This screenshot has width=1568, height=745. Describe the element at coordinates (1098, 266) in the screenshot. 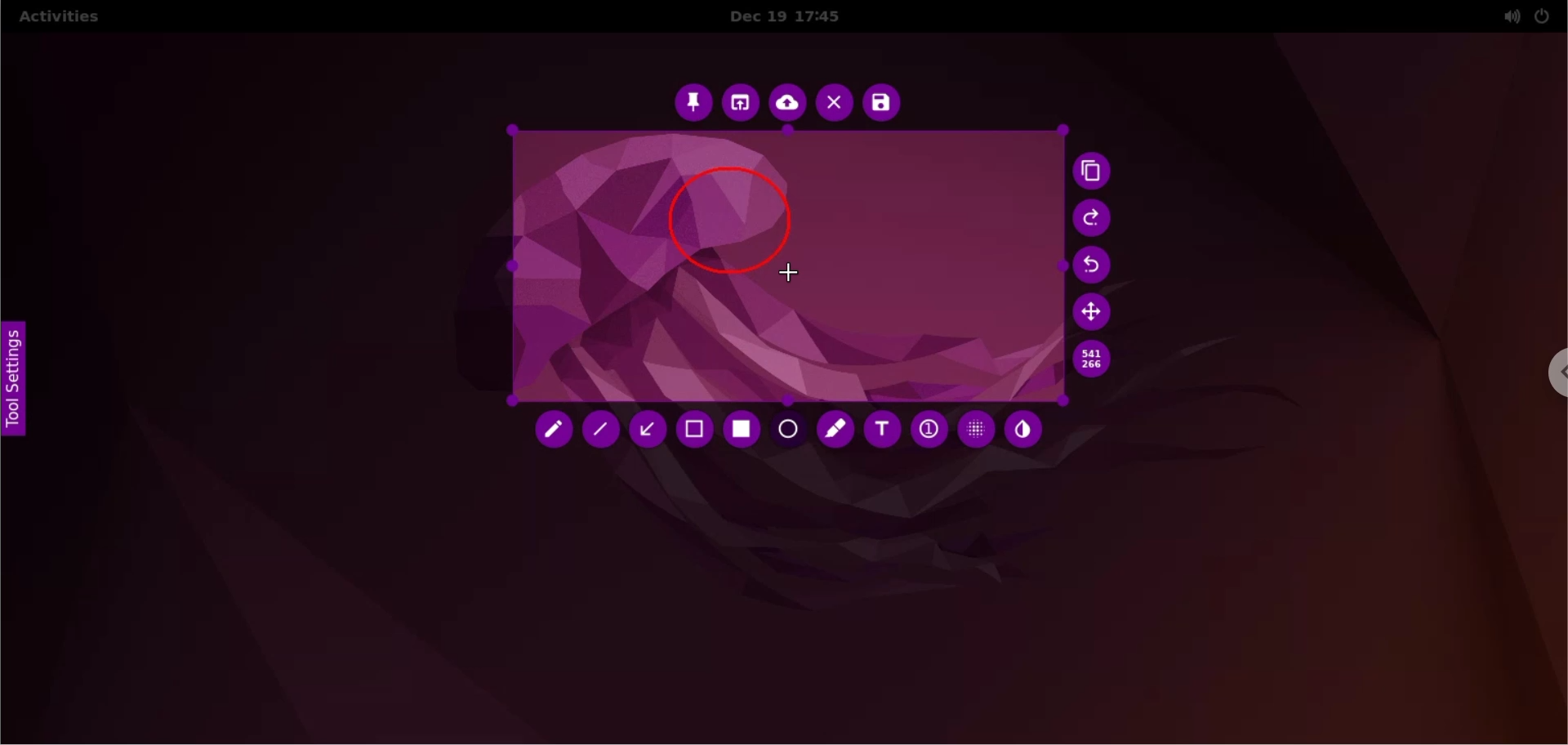

I see `undo` at that location.